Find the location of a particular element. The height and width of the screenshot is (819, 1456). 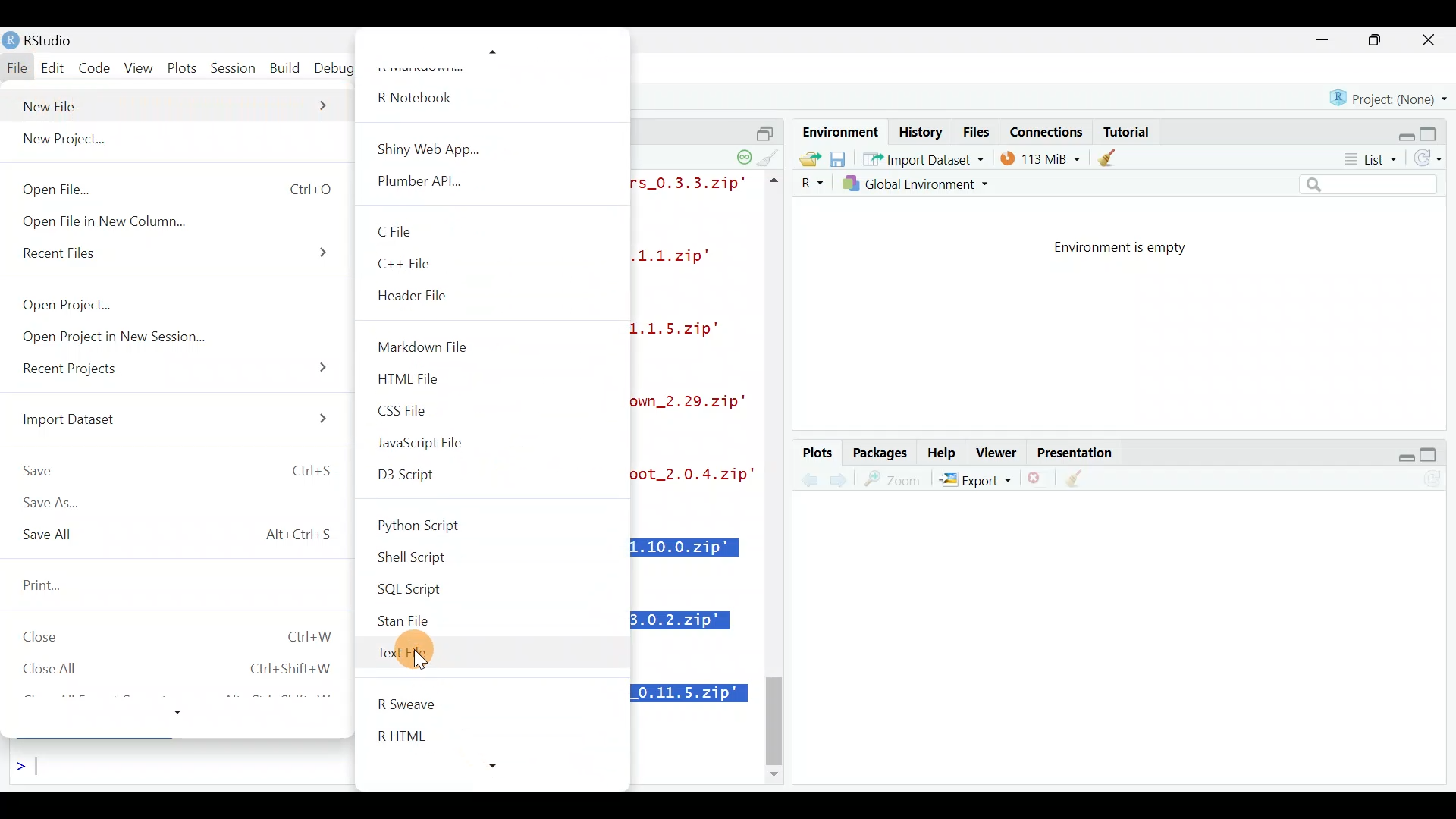

Line cursor is located at coordinates (27, 769).